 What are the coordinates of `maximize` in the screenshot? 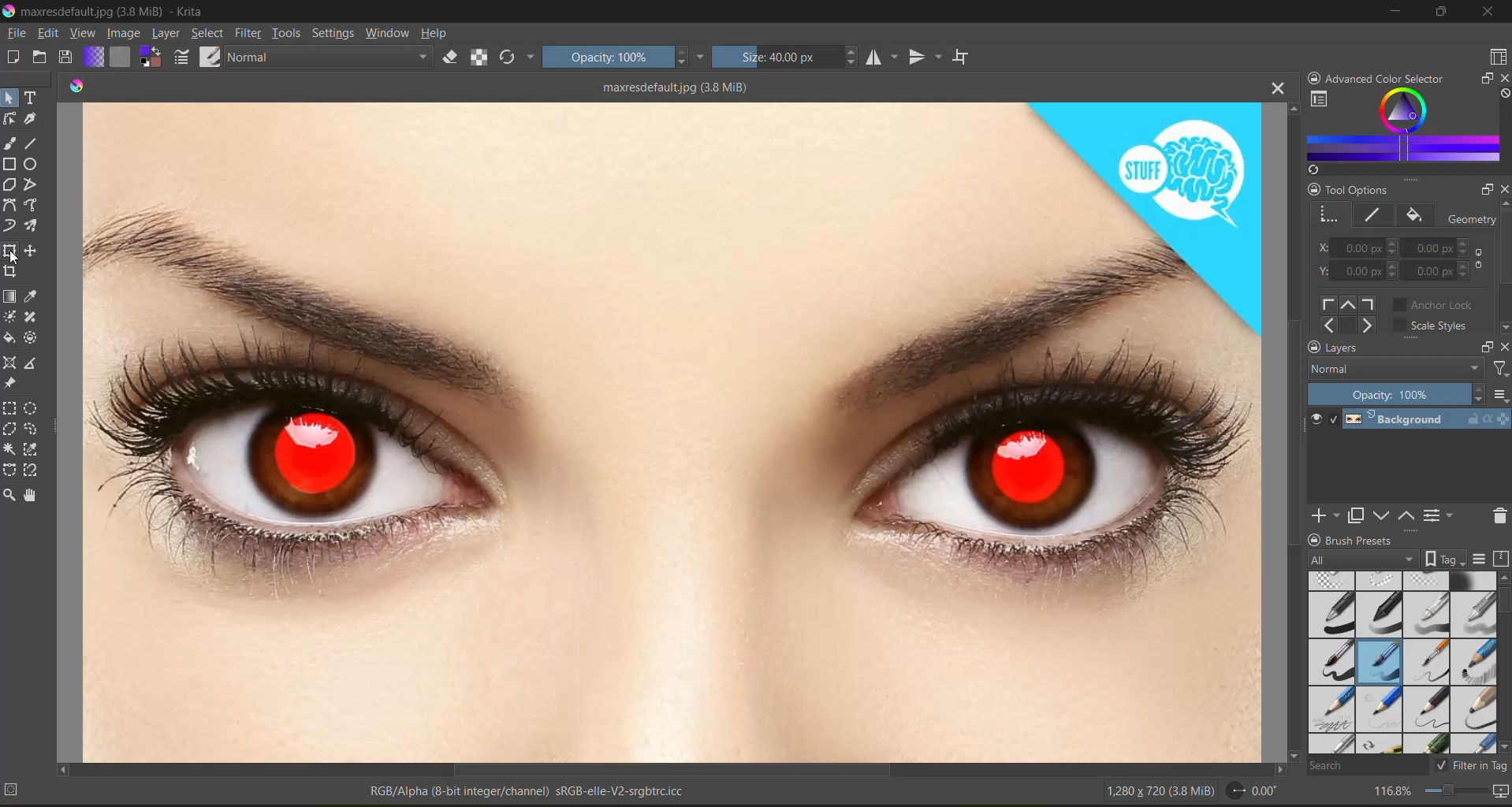 It's located at (1448, 14).